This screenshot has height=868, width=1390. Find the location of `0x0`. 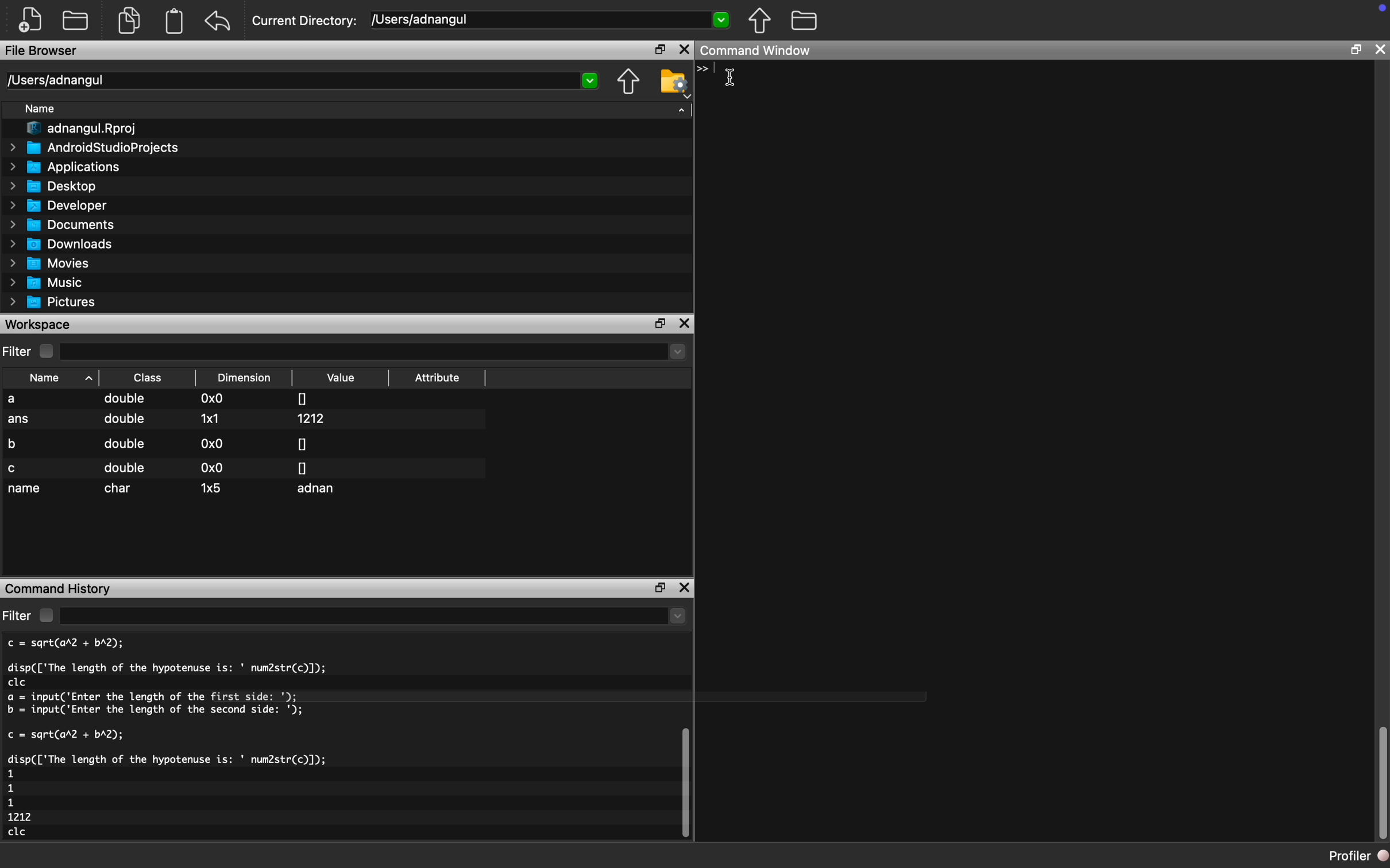

0x0 is located at coordinates (213, 443).